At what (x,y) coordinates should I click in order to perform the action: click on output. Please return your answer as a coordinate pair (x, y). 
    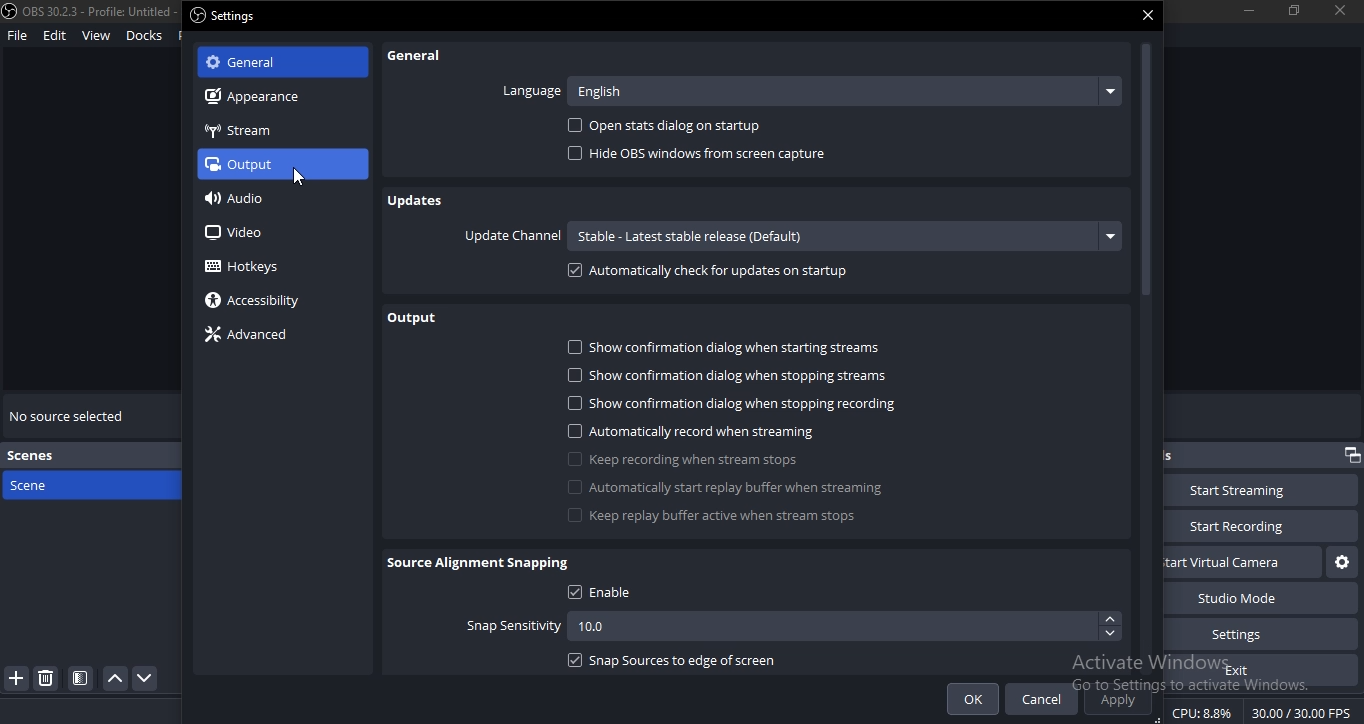
    Looking at the image, I should click on (415, 319).